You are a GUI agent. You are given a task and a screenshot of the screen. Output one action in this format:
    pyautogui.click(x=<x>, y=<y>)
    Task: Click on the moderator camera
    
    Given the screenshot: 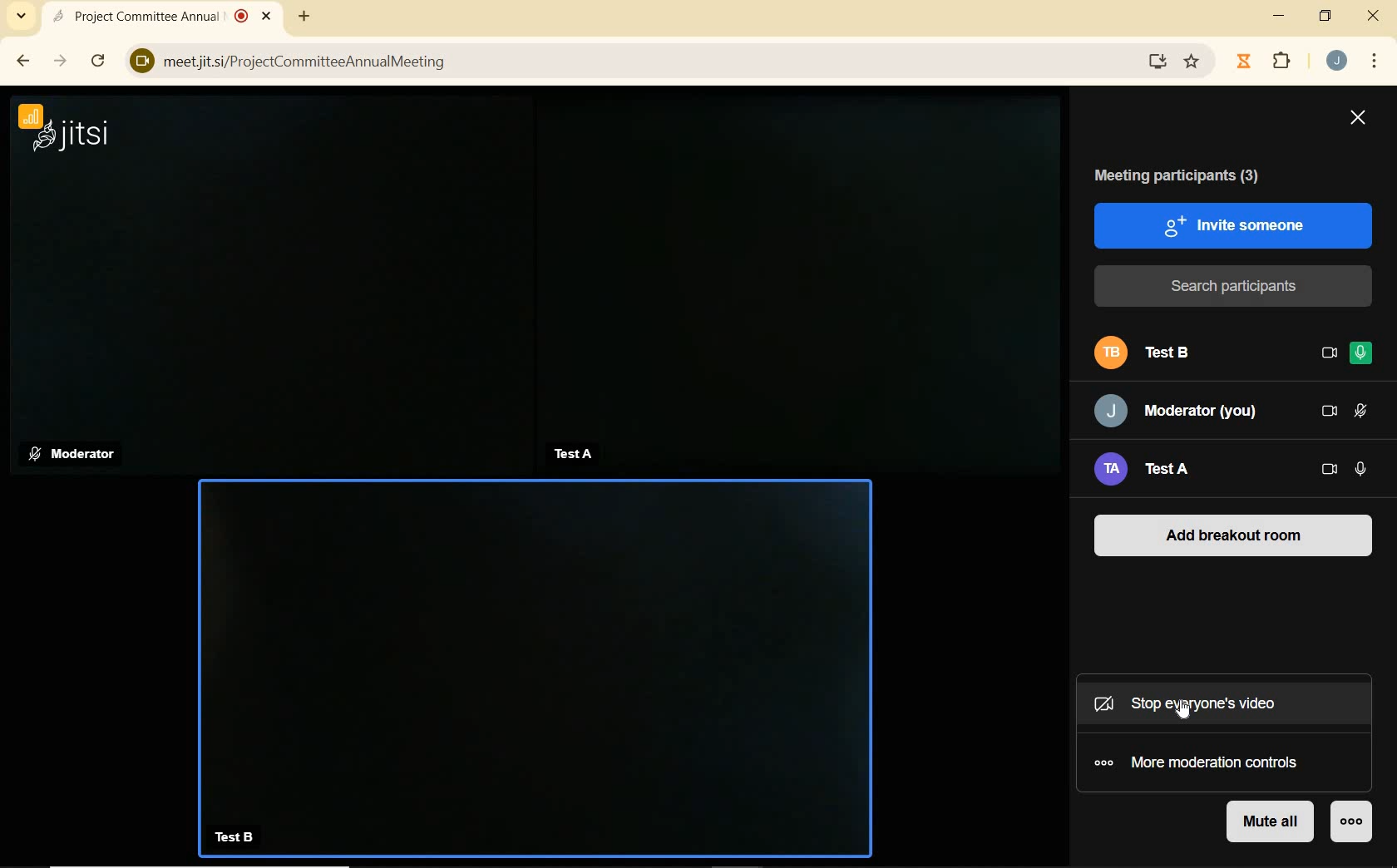 What is the action you would take?
    pyautogui.click(x=268, y=298)
    